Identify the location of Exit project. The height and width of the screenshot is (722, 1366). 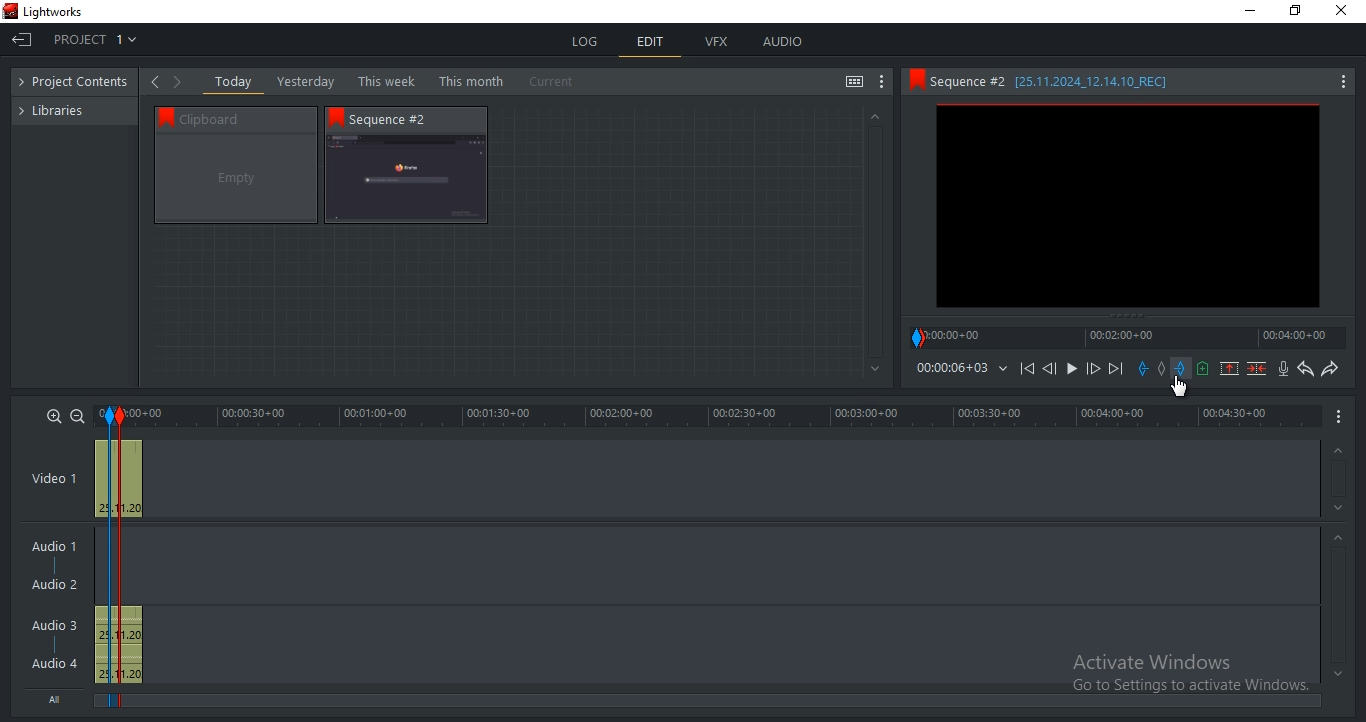
(22, 45).